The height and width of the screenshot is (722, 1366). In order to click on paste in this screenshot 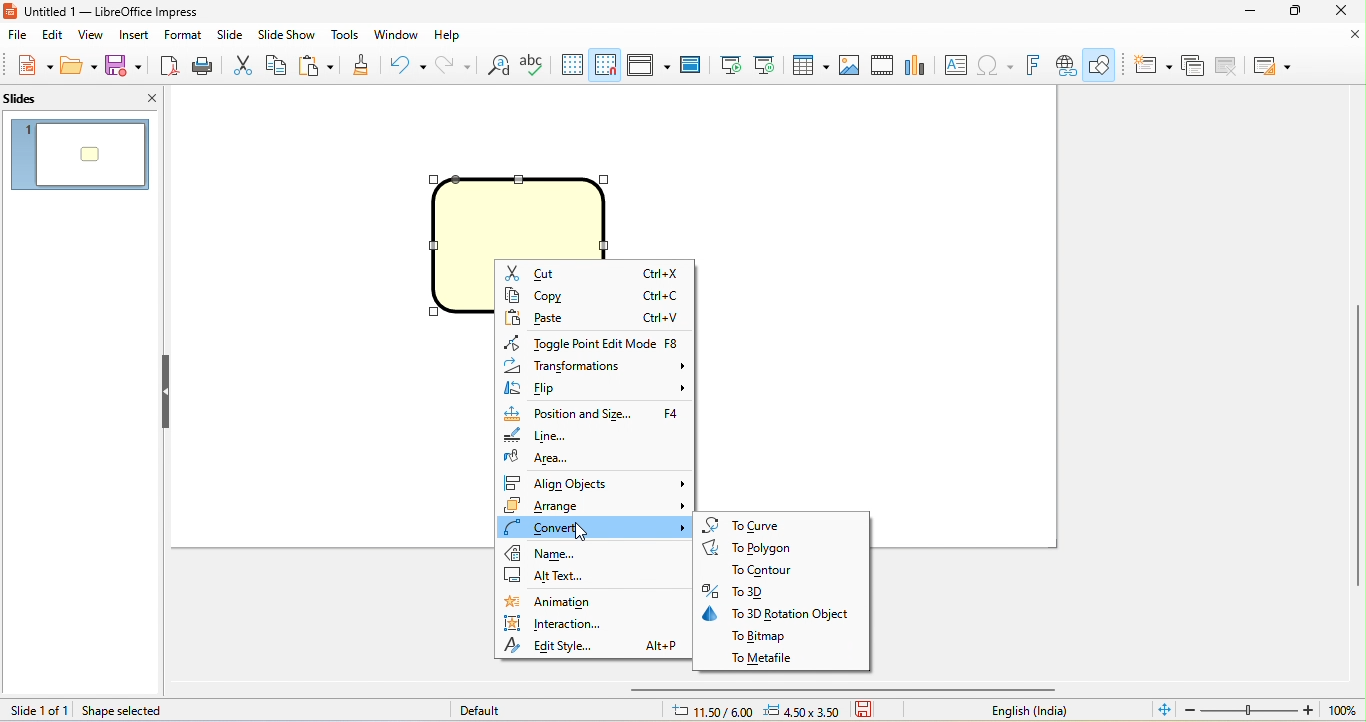, I will do `click(591, 317)`.